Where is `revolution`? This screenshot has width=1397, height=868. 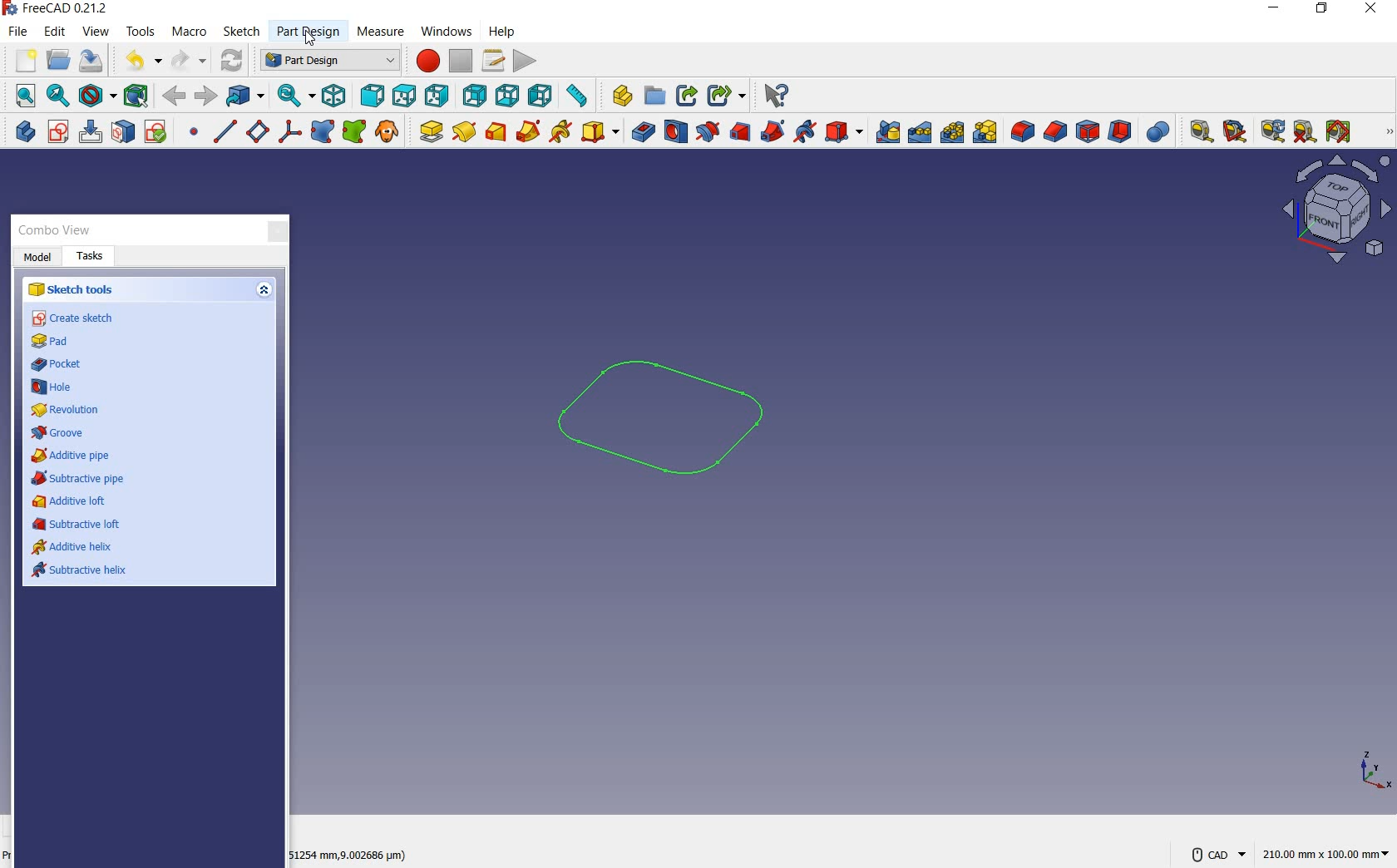
revolution is located at coordinates (58, 409).